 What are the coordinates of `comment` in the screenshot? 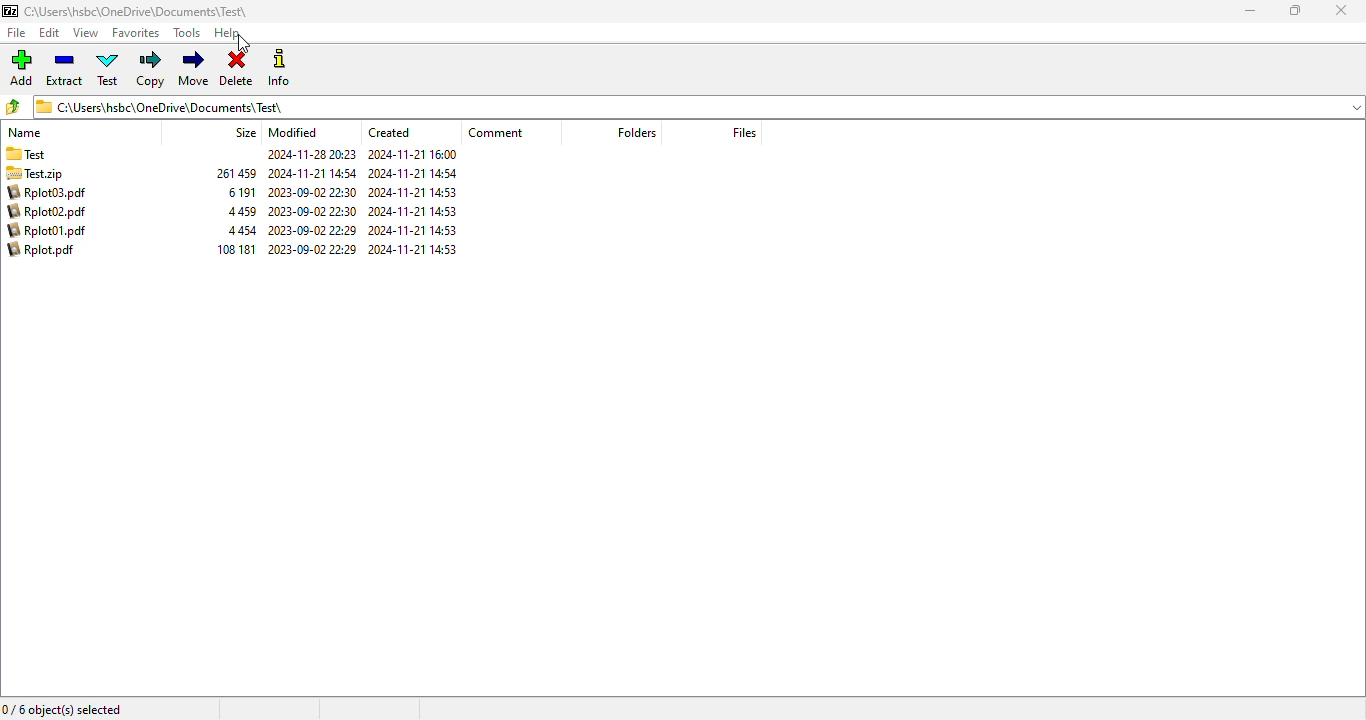 It's located at (498, 132).